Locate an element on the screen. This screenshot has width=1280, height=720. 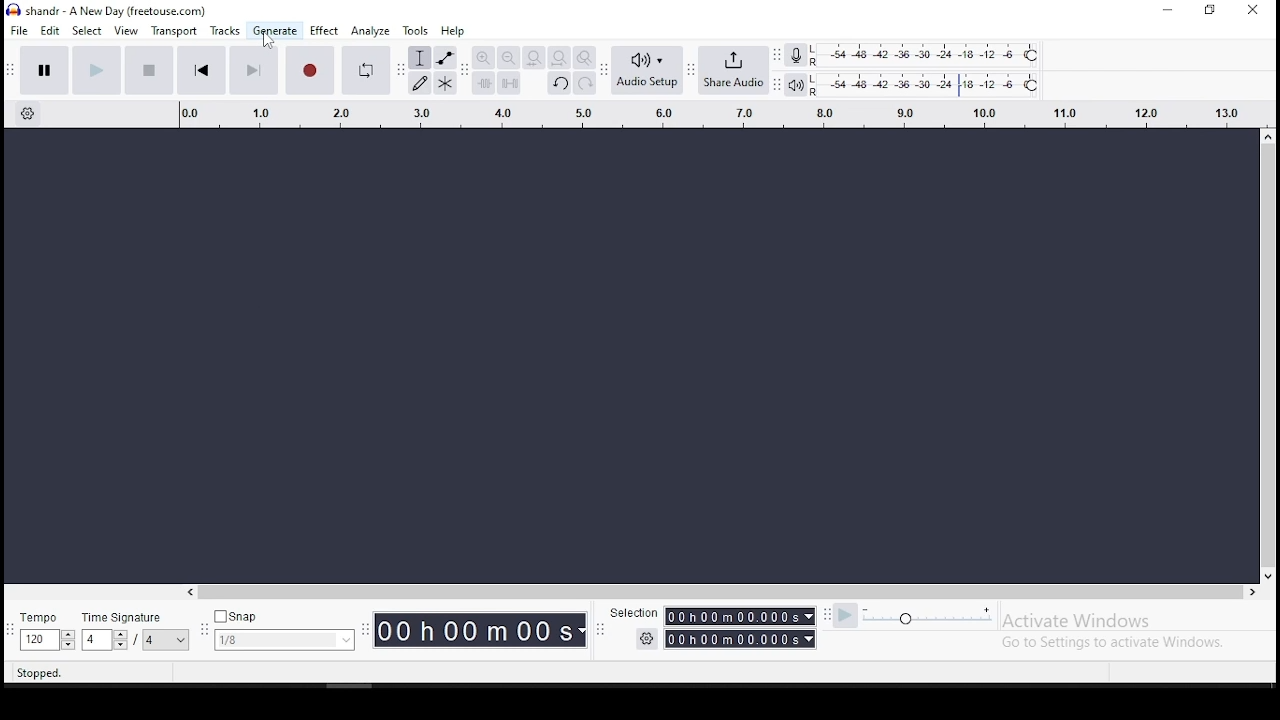
00h00m00s is located at coordinates (739, 616).